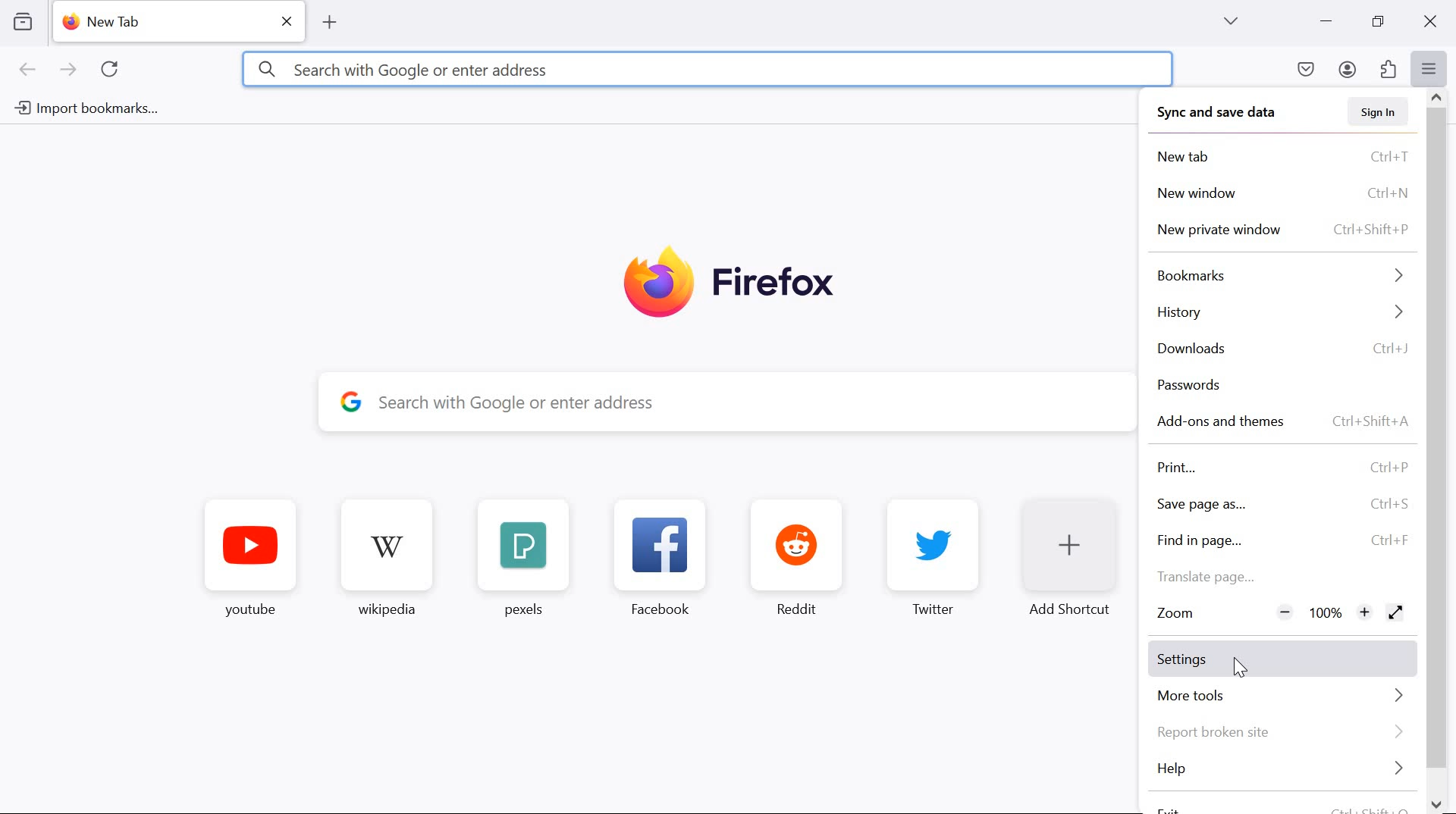  Describe the element at coordinates (1287, 350) in the screenshot. I see `downloads` at that location.